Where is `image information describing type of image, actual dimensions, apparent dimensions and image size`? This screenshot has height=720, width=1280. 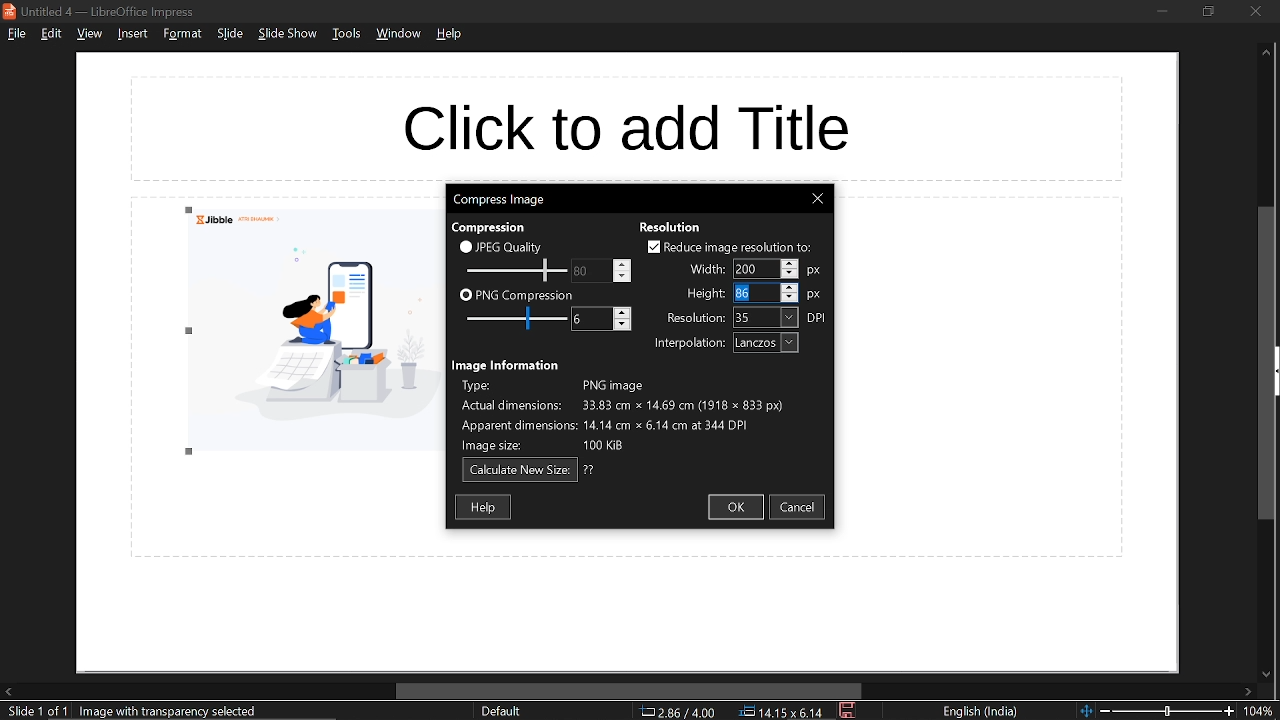
image information describing type of image, actual dimensions, apparent dimensions and image size is located at coordinates (634, 416).